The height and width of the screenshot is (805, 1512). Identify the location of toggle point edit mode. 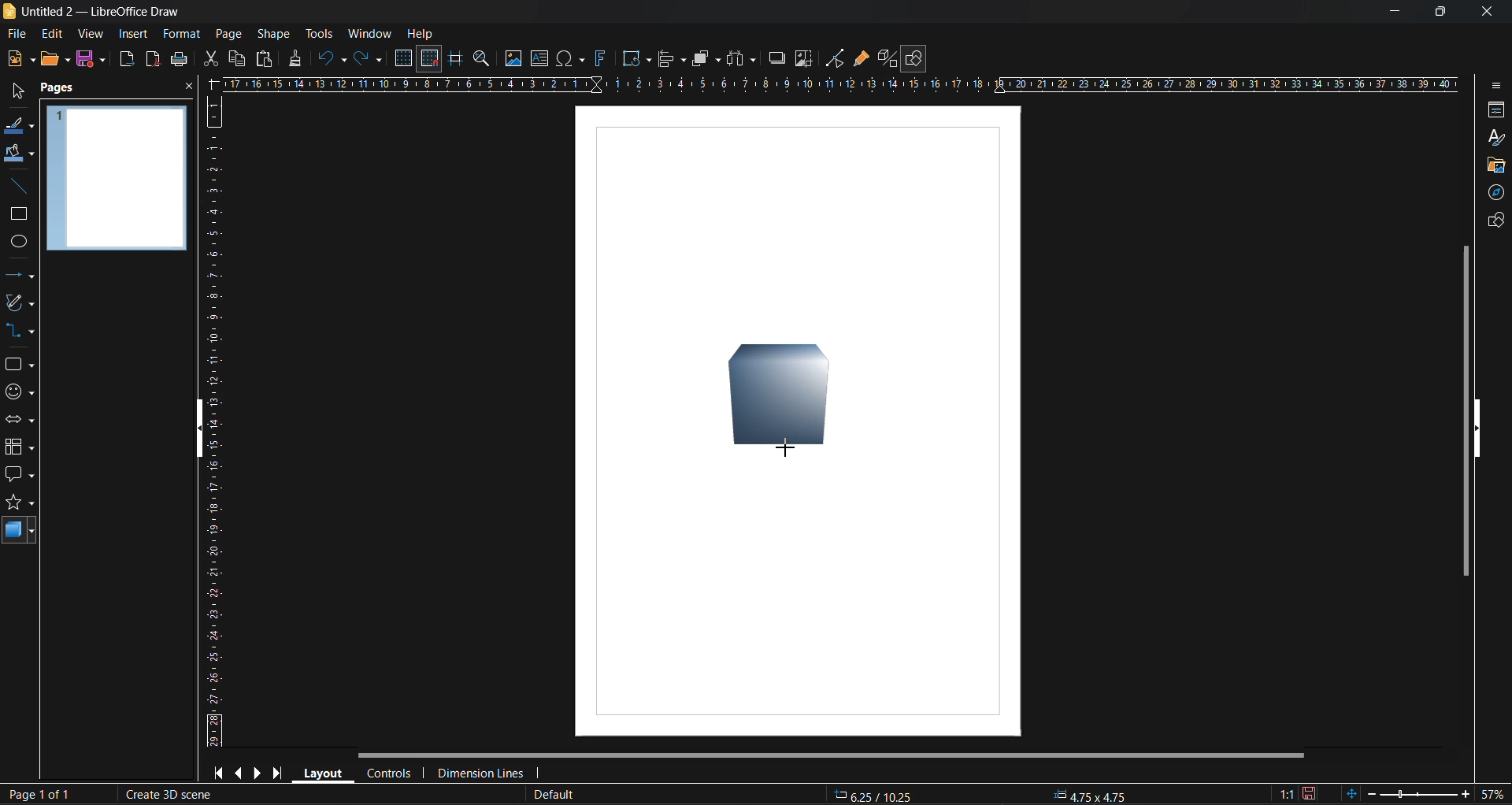
(837, 57).